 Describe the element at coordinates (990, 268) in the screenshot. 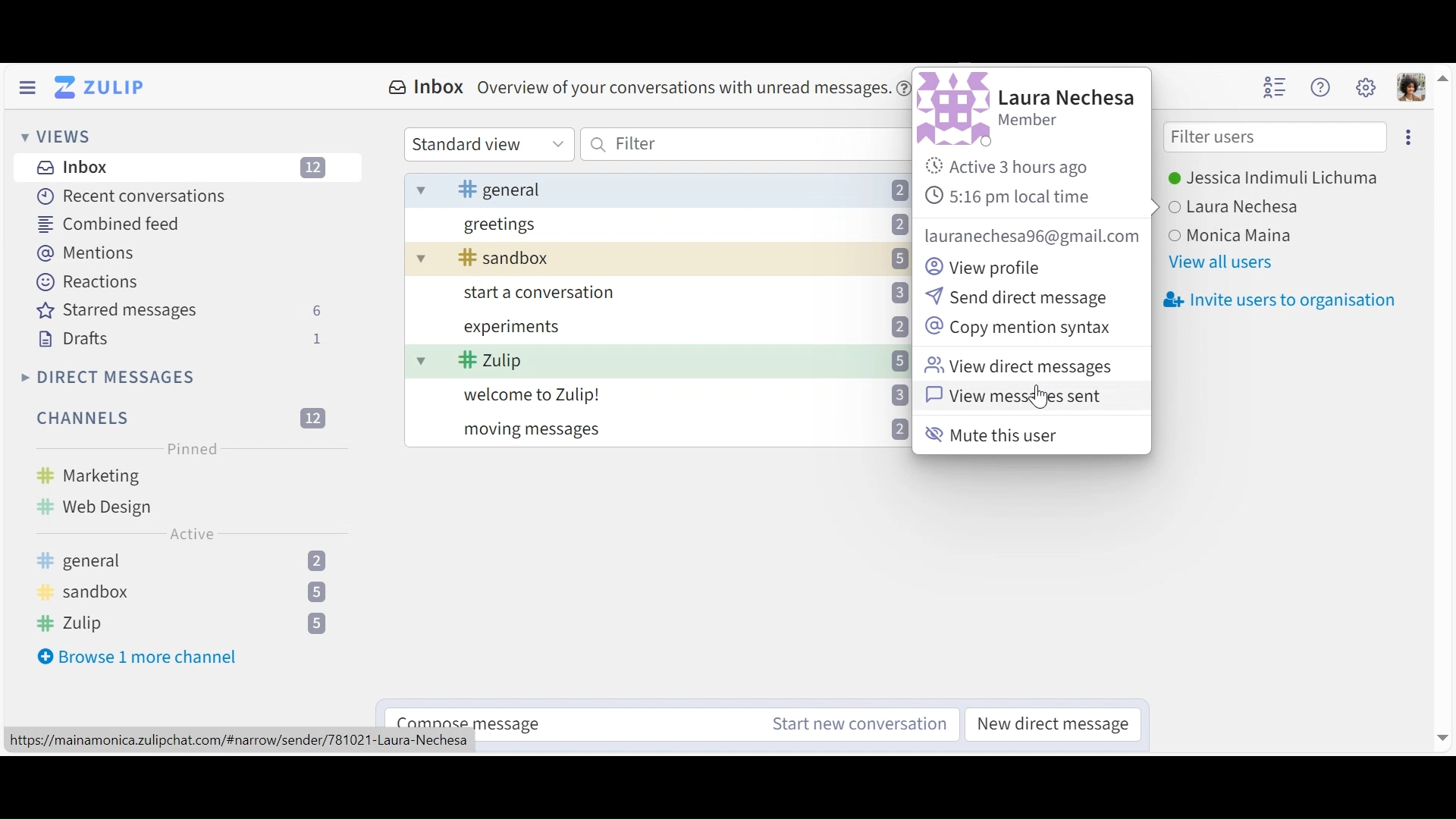

I see `View profile` at that location.